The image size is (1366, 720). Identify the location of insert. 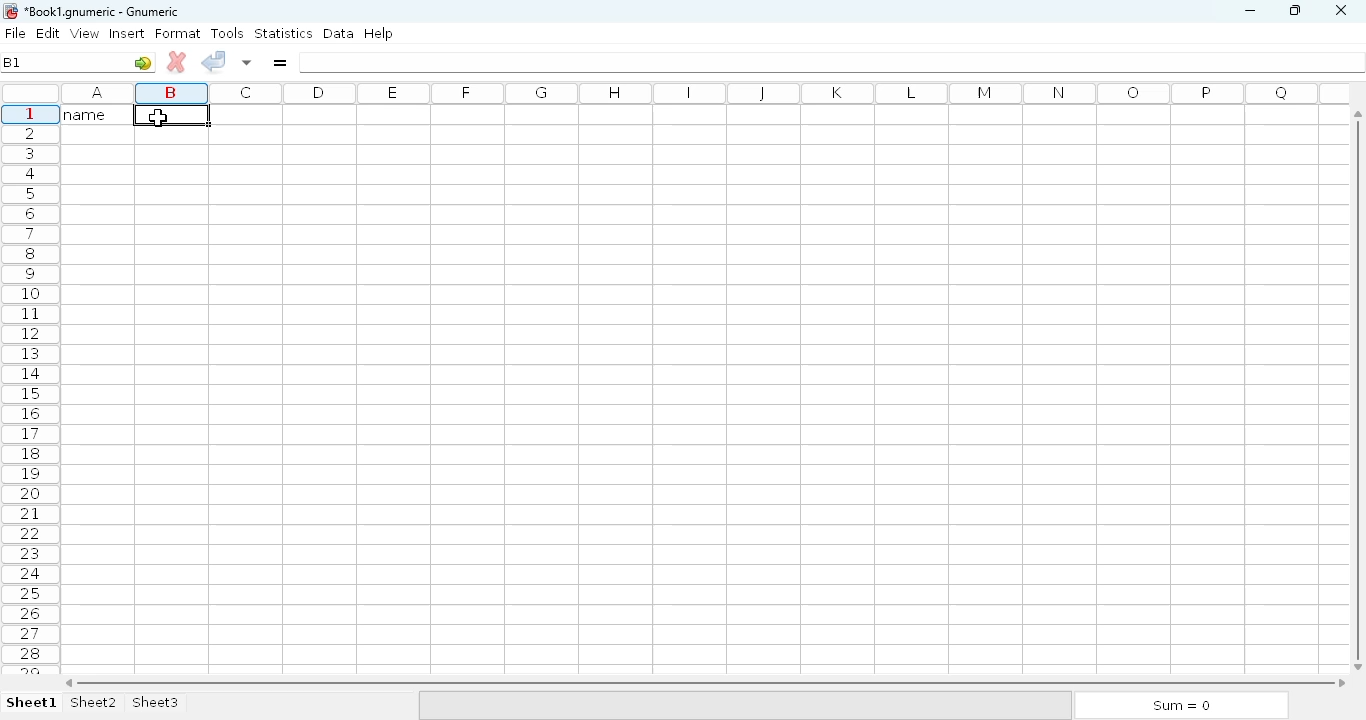
(127, 33).